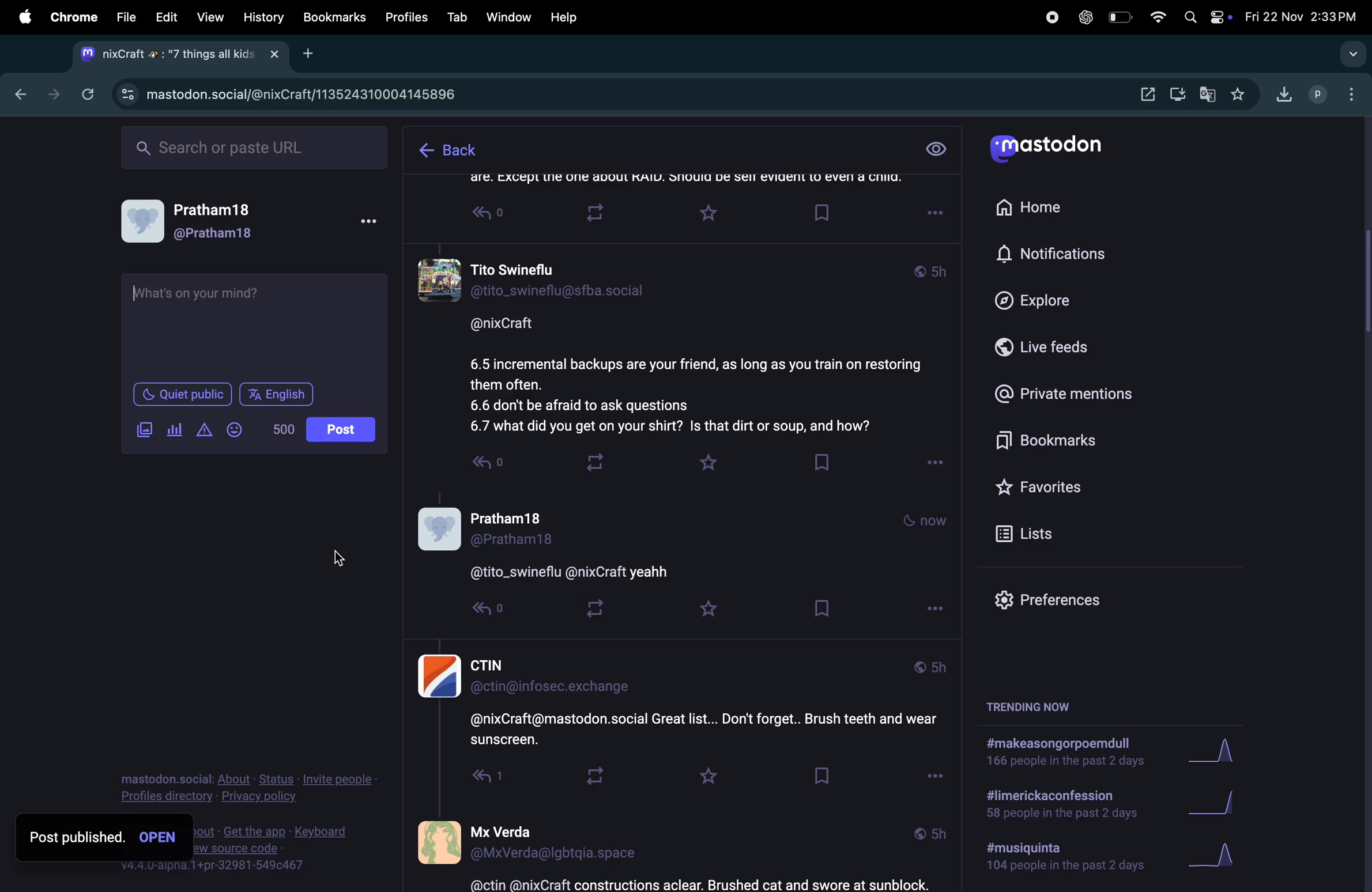 The height and width of the screenshot is (892, 1372). Describe the element at coordinates (591, 776) in the screenshot. I see `loop` at that location.